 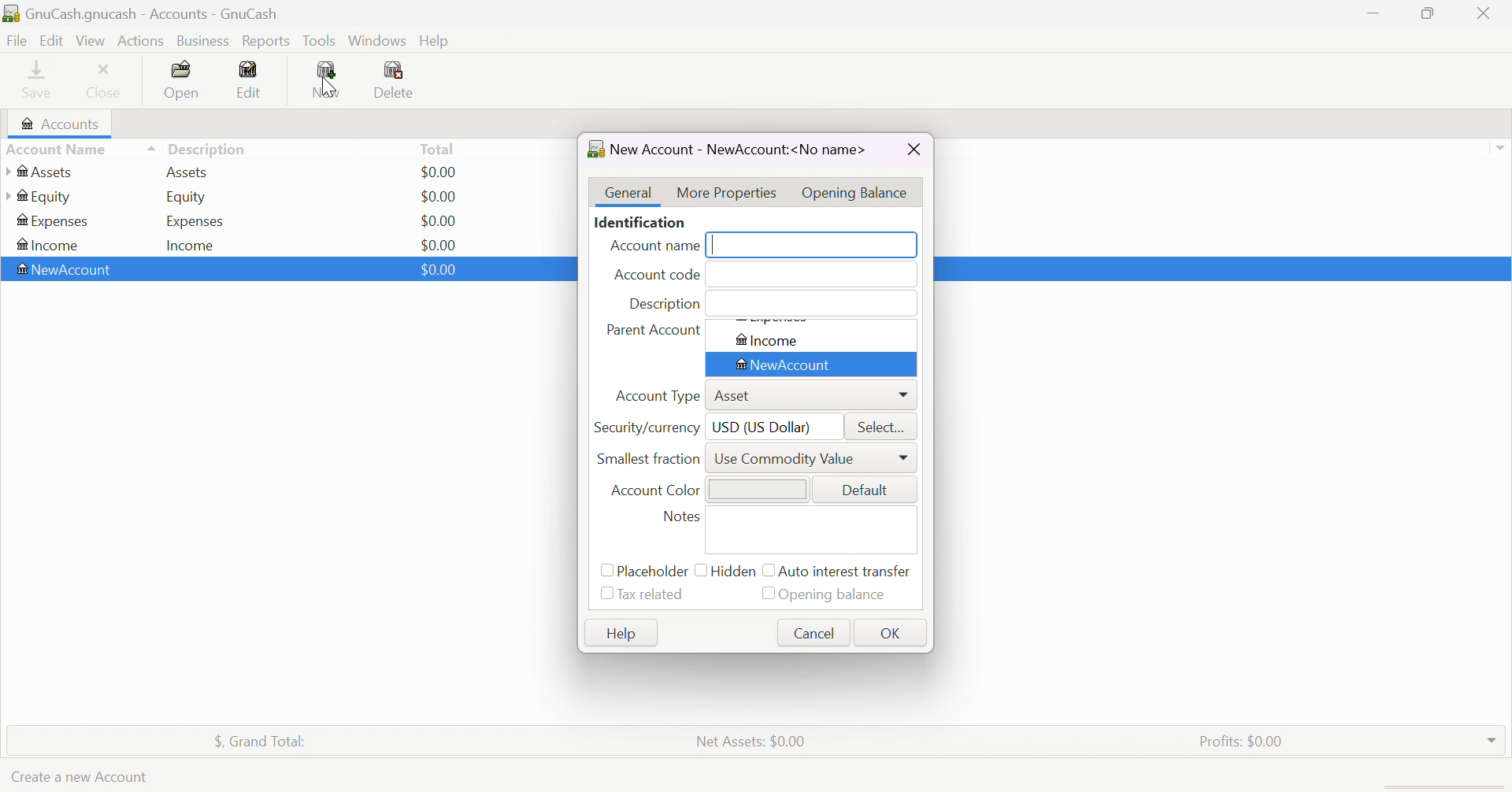 What do you see at coordinates (440, 221) in the screenshot?
I see `$0.00` at bounding box center [440, 221].